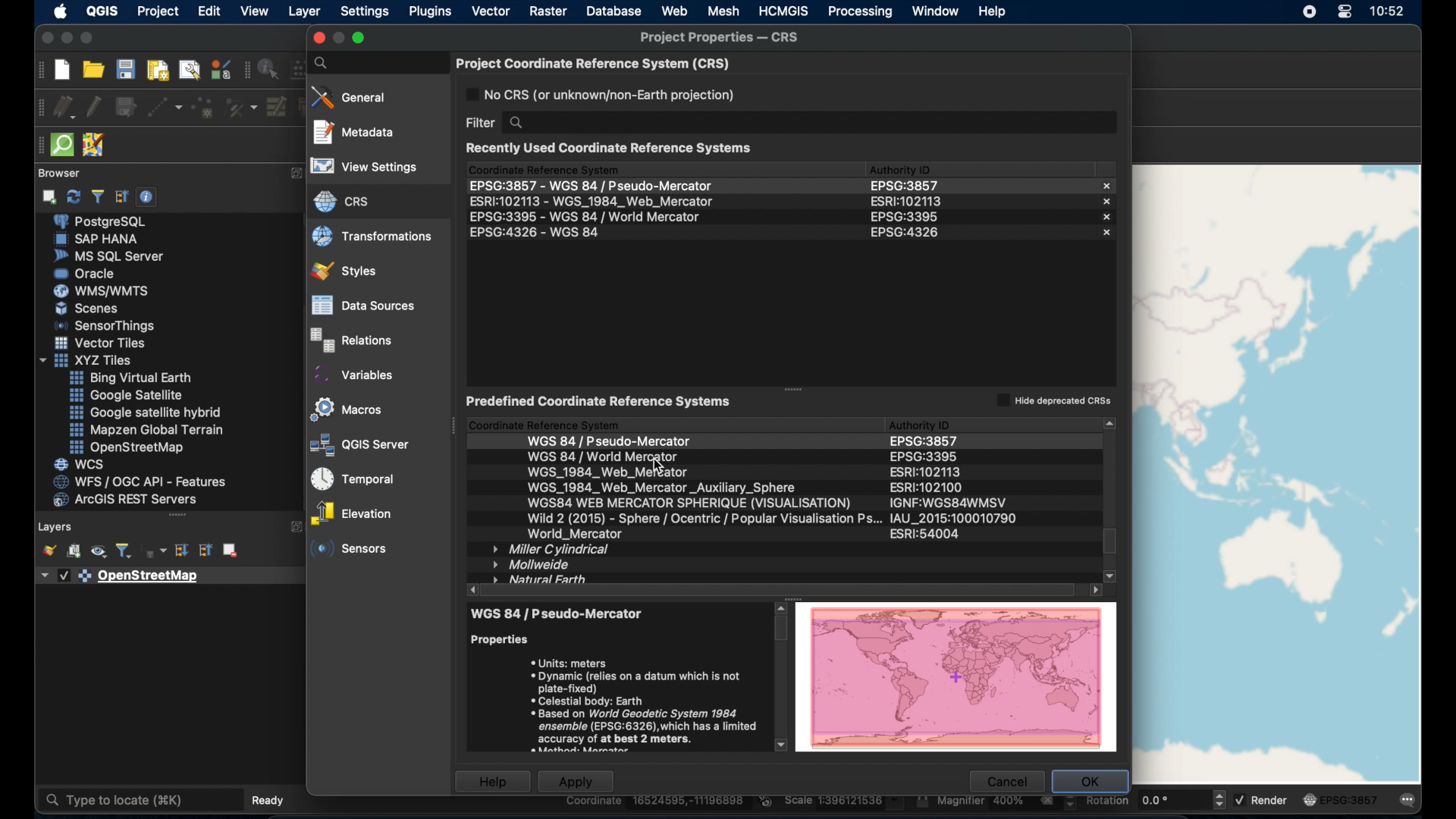 The image size is (1456, 819). I want to click on authority id, so click(924, 472).